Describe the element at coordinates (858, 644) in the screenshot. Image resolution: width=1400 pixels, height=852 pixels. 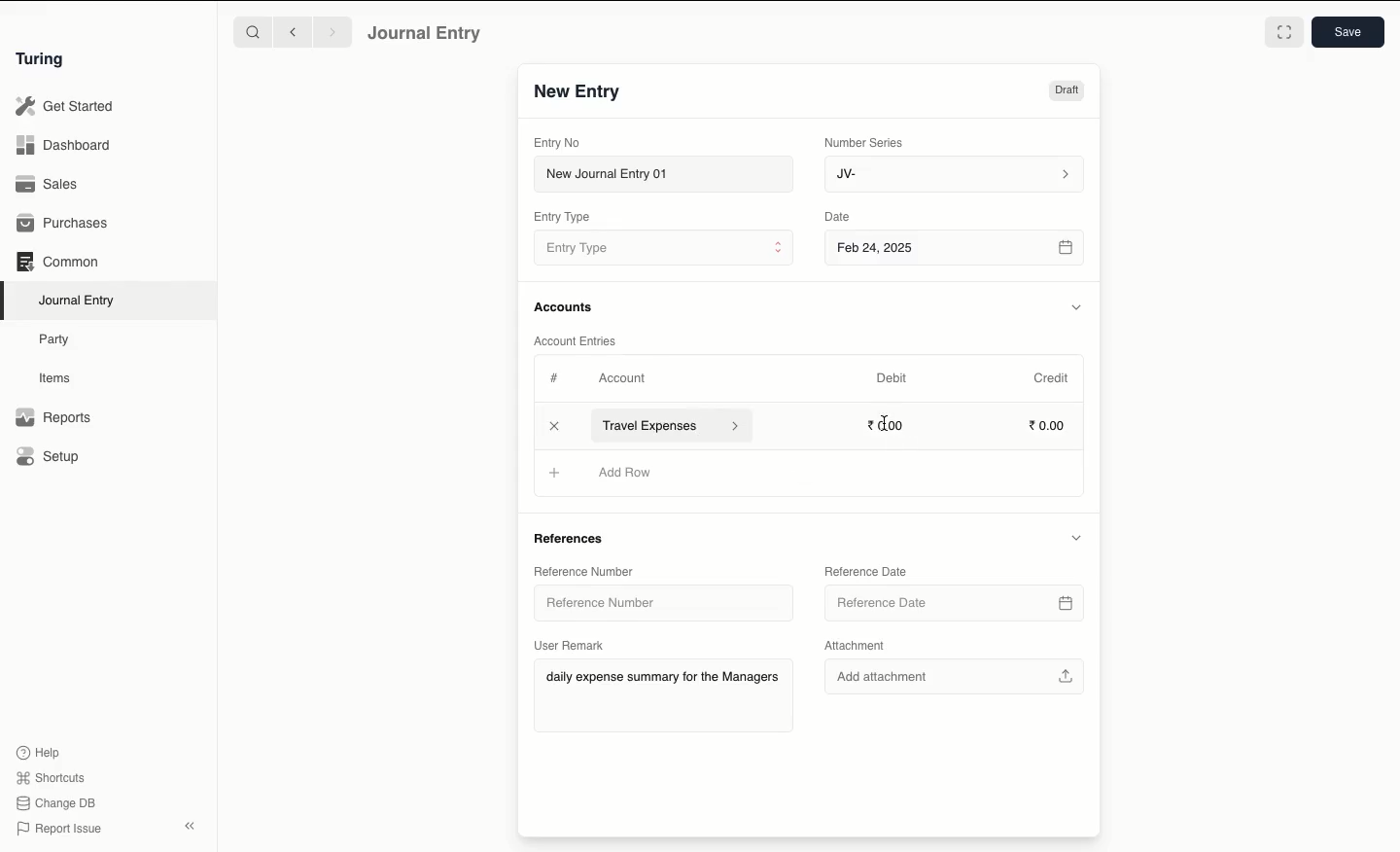
I see `Attachment` at that location.